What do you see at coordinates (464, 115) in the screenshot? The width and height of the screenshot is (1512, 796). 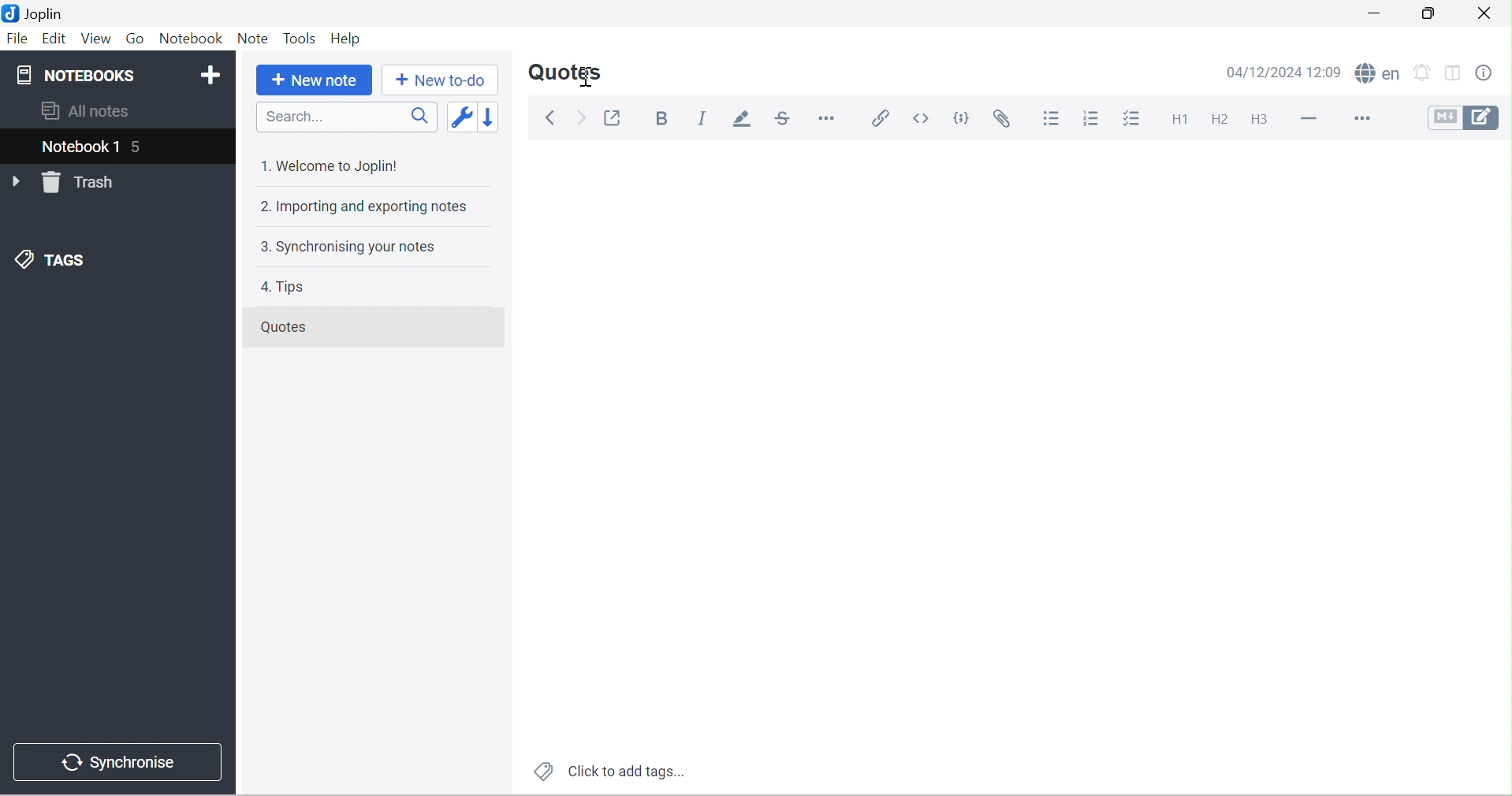 I see `Toggle sort order field` at bounding box center [464, 115].